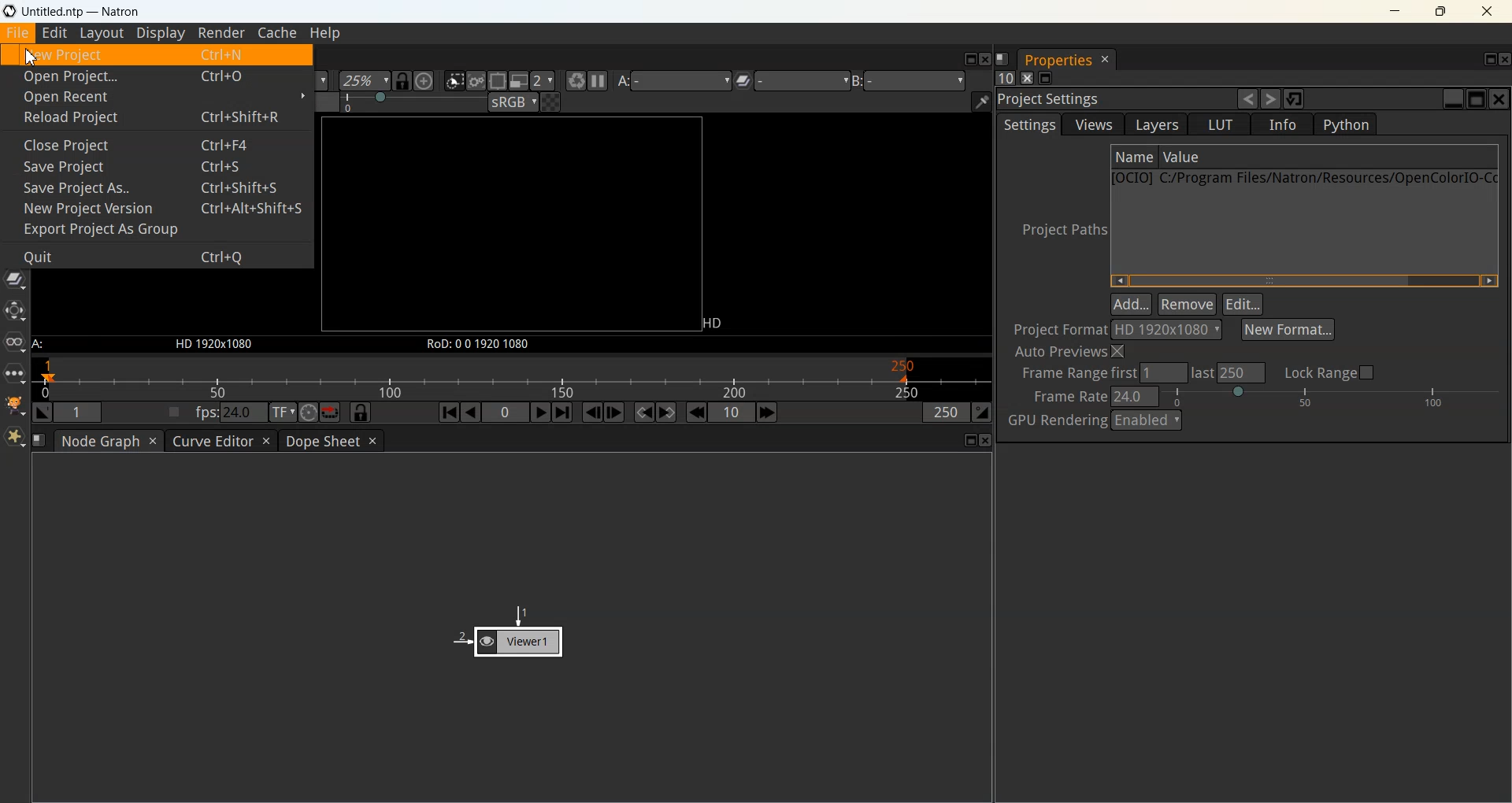 This screenshot has height=803, width=1512. I want to click on Close curve editor, so click(267, 441).